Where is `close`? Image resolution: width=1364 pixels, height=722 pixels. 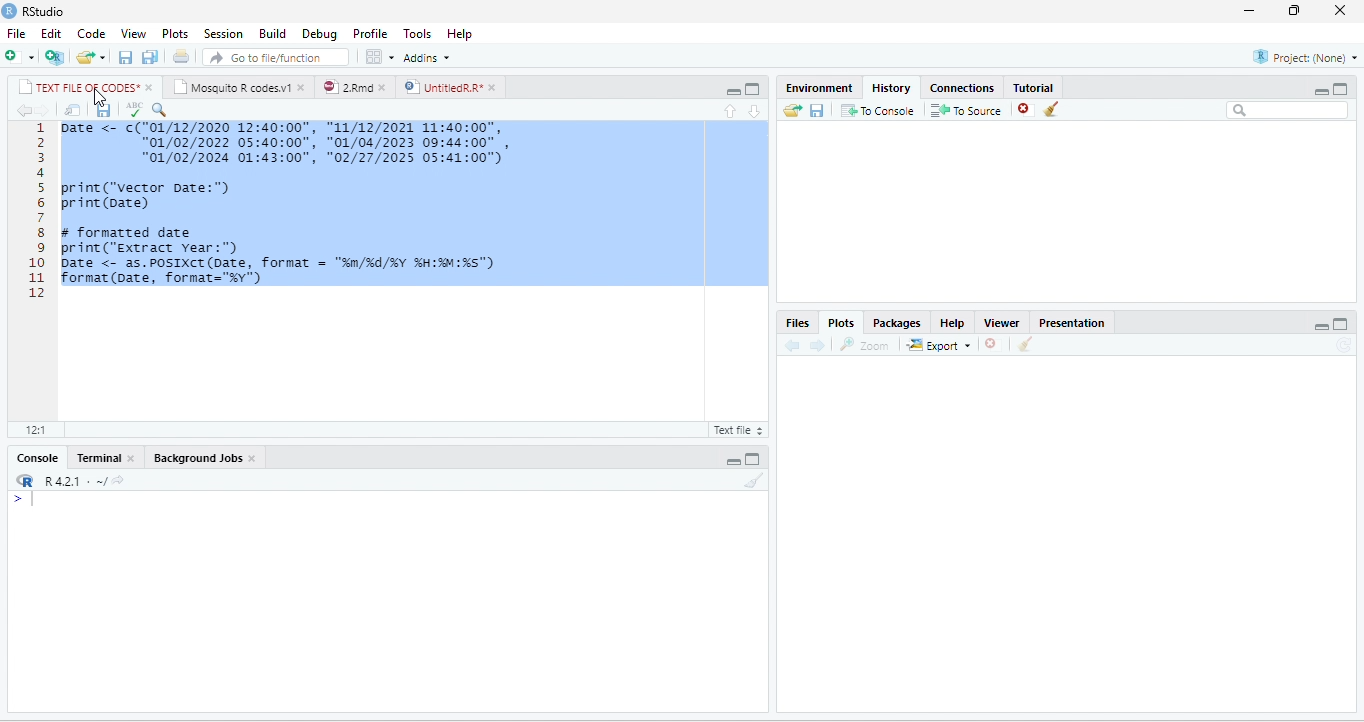
close is located at coordinates (494, 88).